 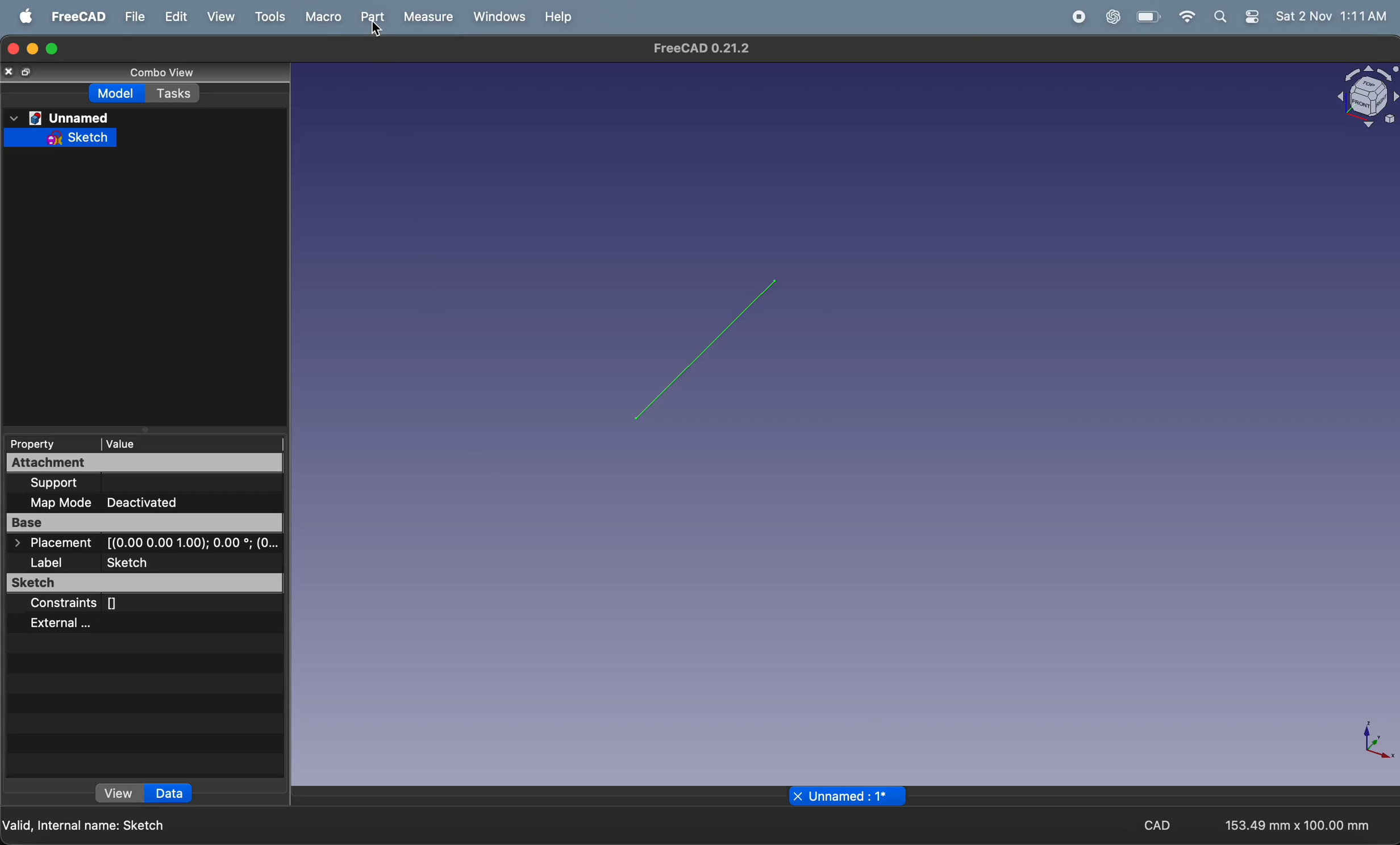 What do you see at coordinates (145, 463) in the screenshot?
I see `attachment` at bounding box center [145, 463].